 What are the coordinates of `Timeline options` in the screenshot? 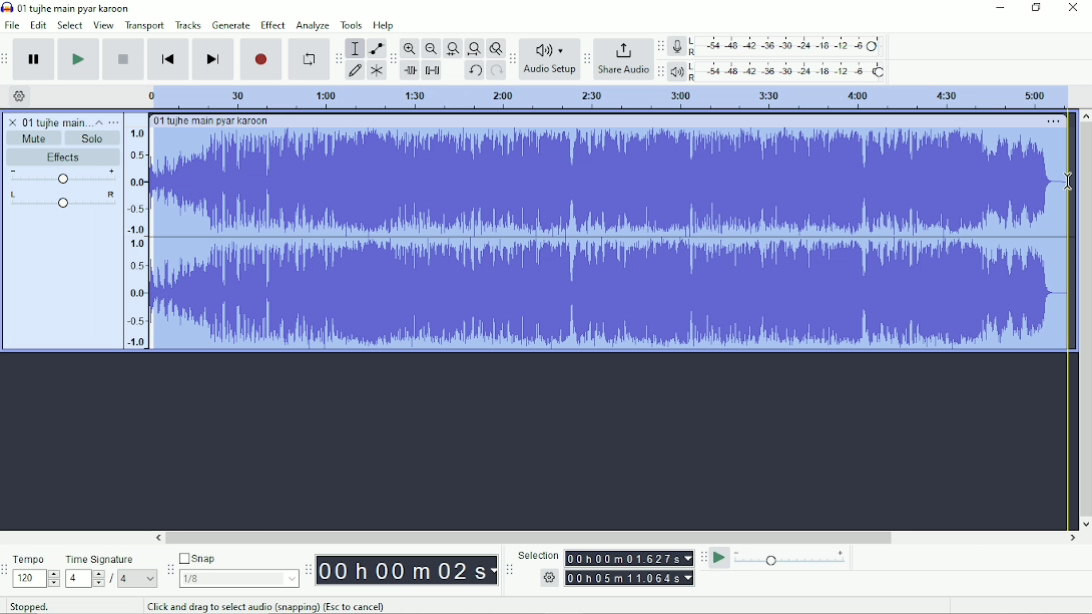 It's located at (18, 96).